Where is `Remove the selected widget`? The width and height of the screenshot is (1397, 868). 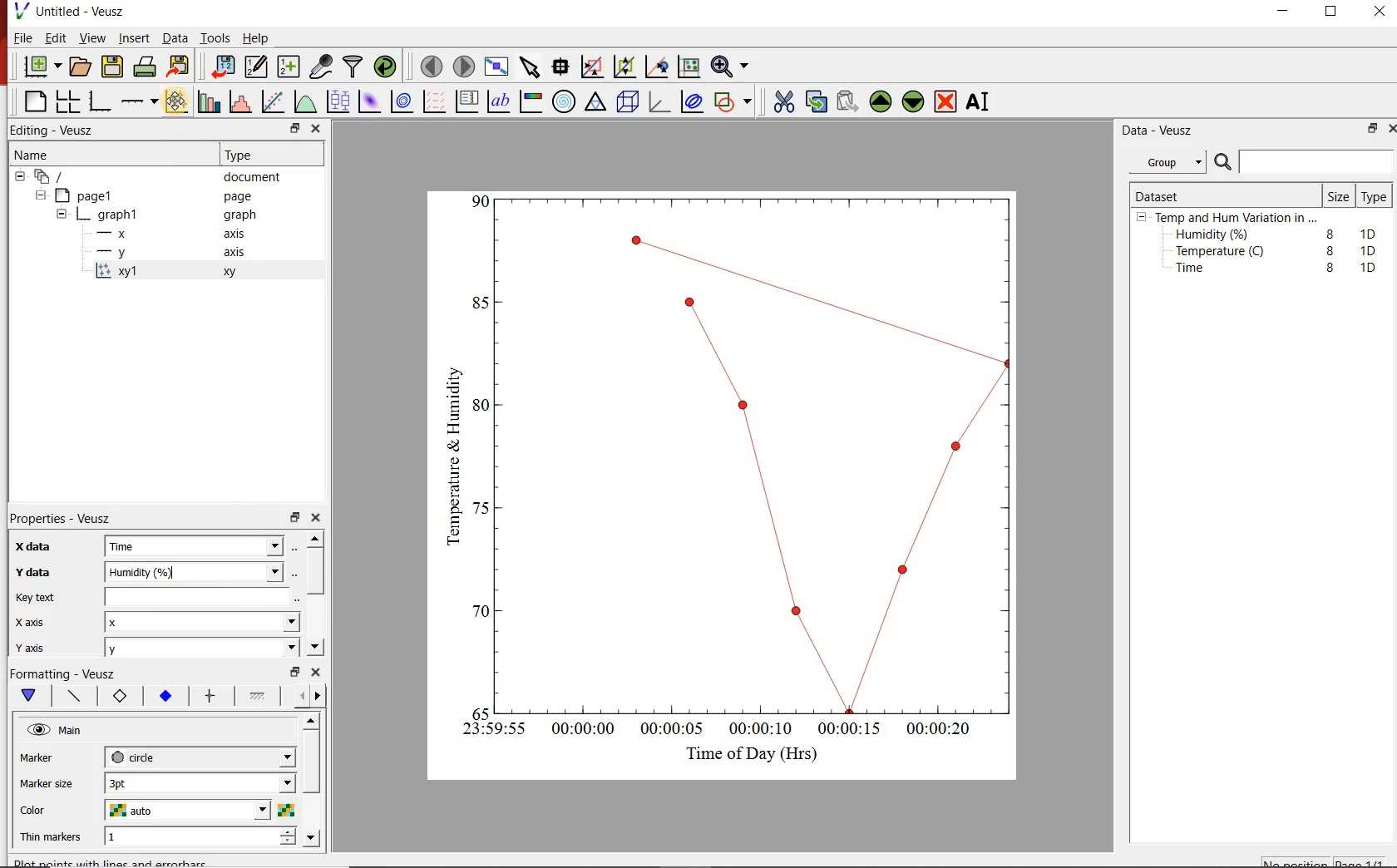
Remove the selected widget is located at coordinates (947, 101).